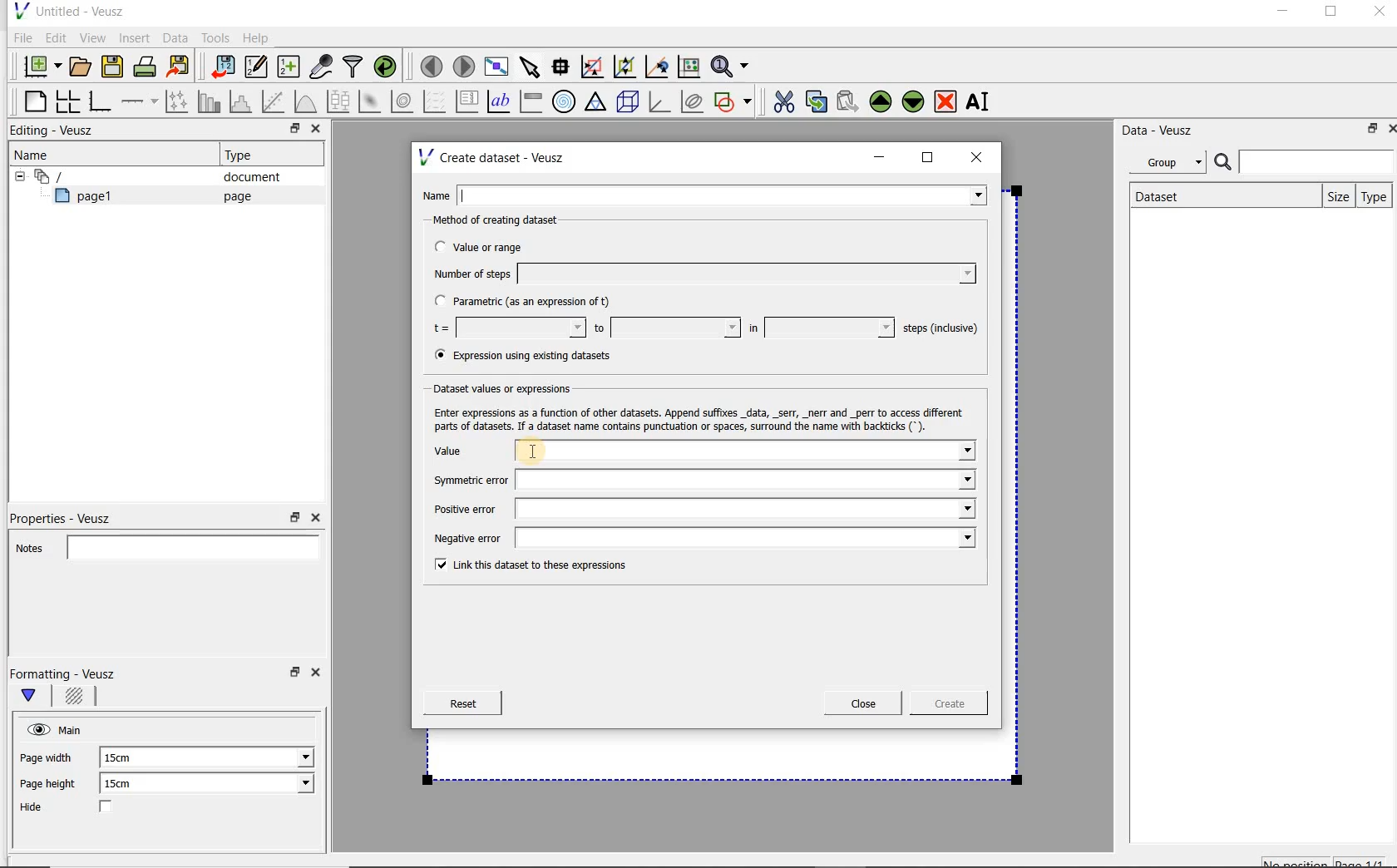  Describe the element at coordinates (136, 37) in the screenshot. I see `Insert` at that location.